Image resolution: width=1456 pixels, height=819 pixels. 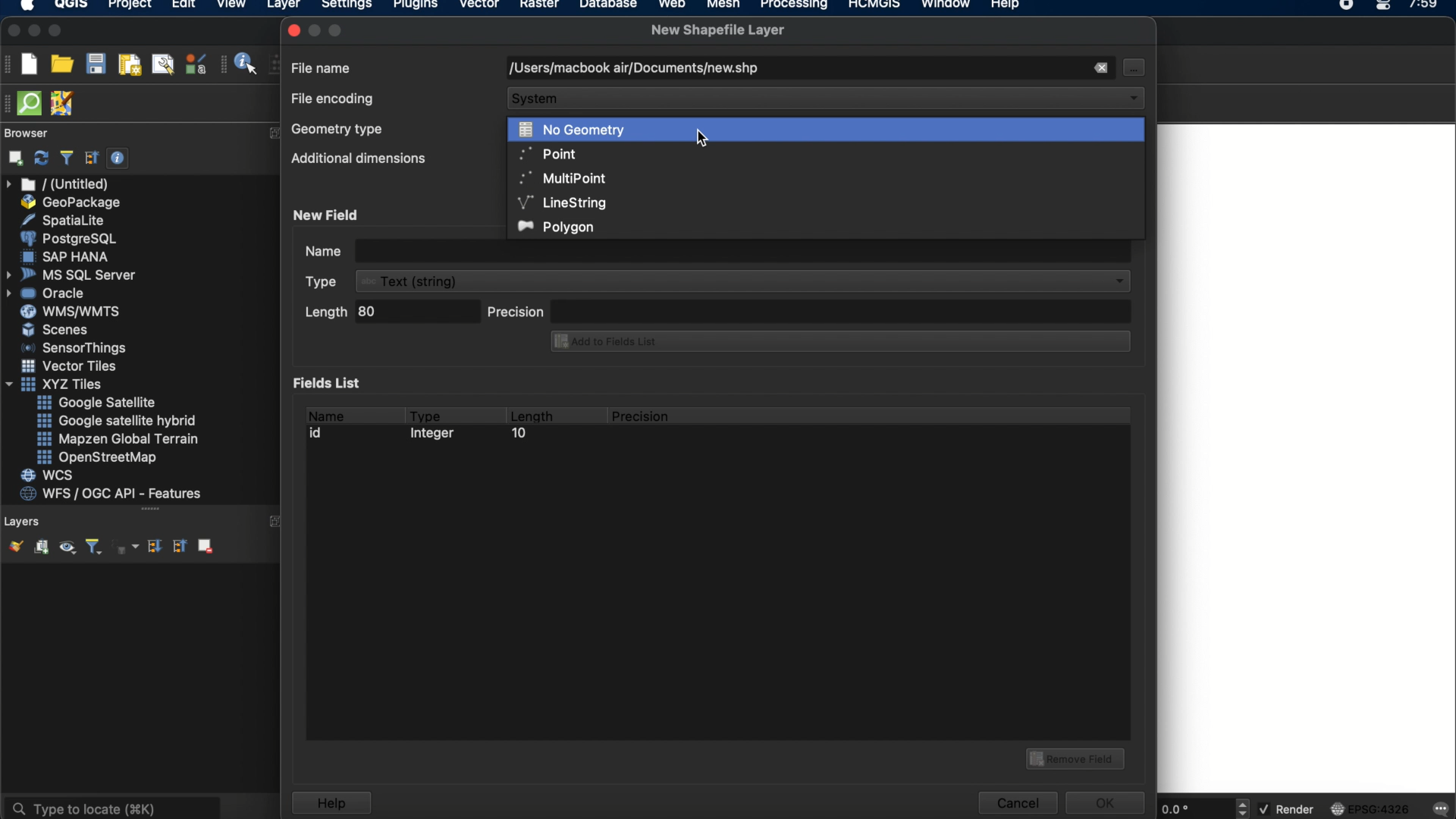 I want to click on new paint layout, so click(x=128, y=66).